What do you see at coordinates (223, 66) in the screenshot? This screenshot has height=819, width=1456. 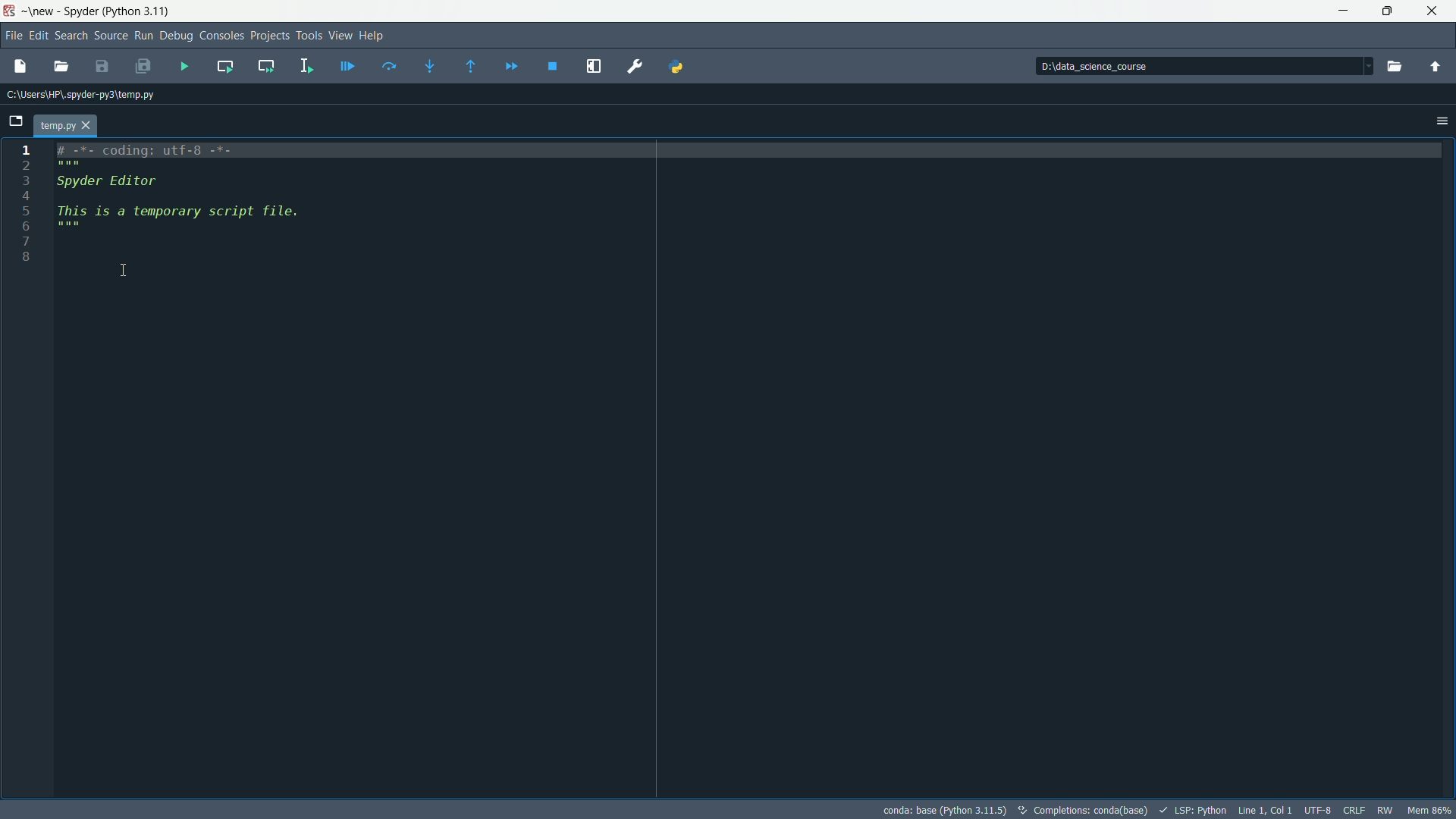 I see `run current cell` at bounding box center [223, 66].